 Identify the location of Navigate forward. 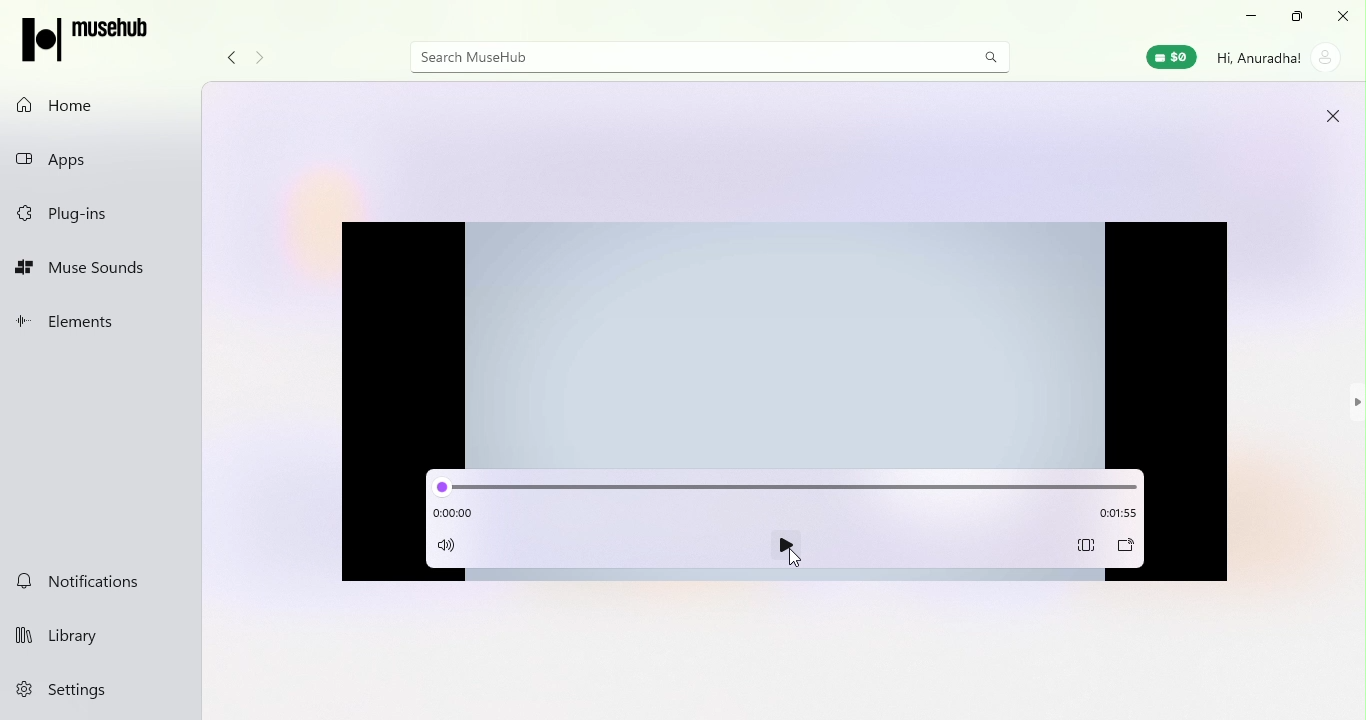
(262, 58).